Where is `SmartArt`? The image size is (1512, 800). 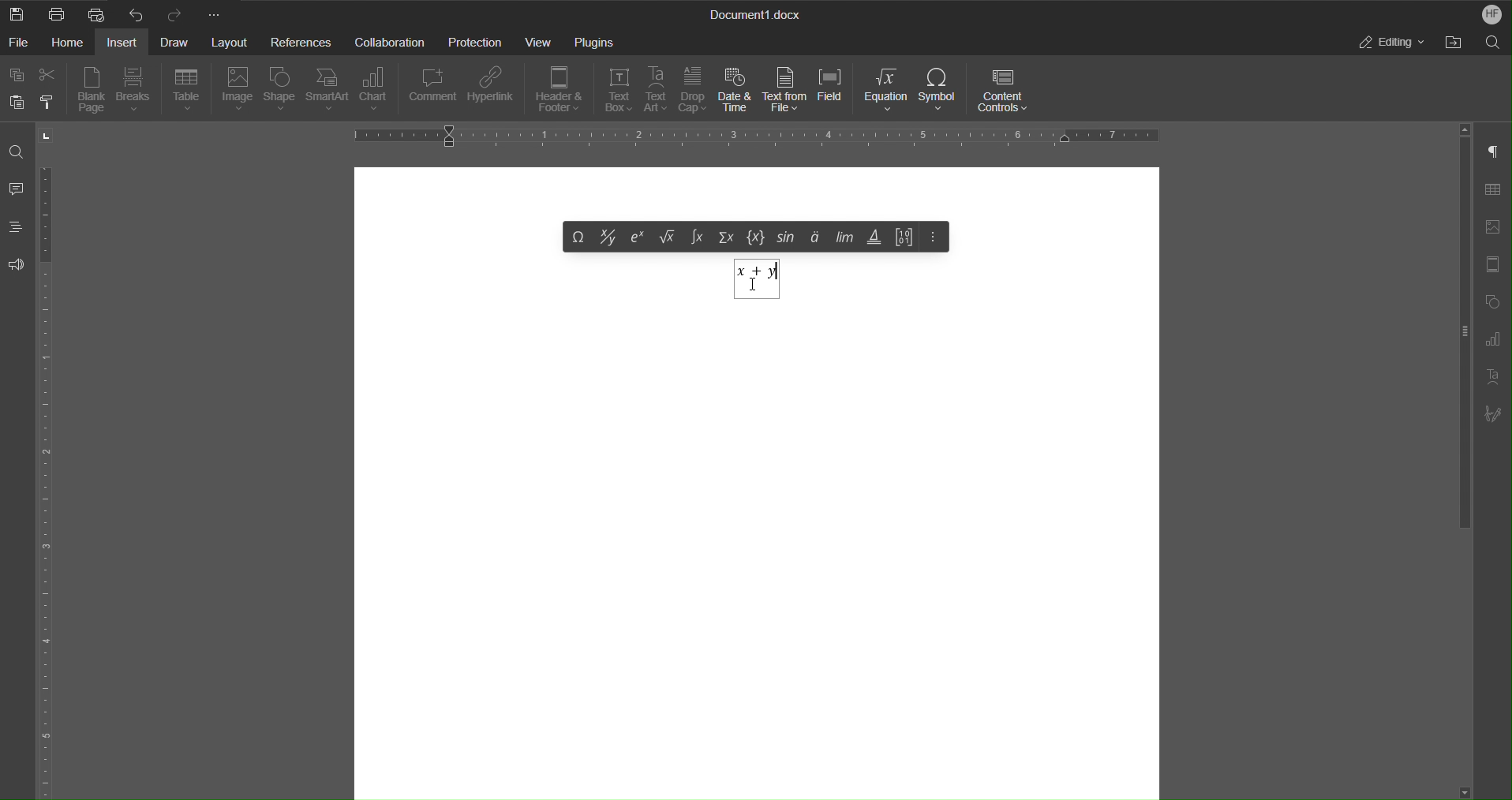 SmartArt is located at coordinates (327, 91).